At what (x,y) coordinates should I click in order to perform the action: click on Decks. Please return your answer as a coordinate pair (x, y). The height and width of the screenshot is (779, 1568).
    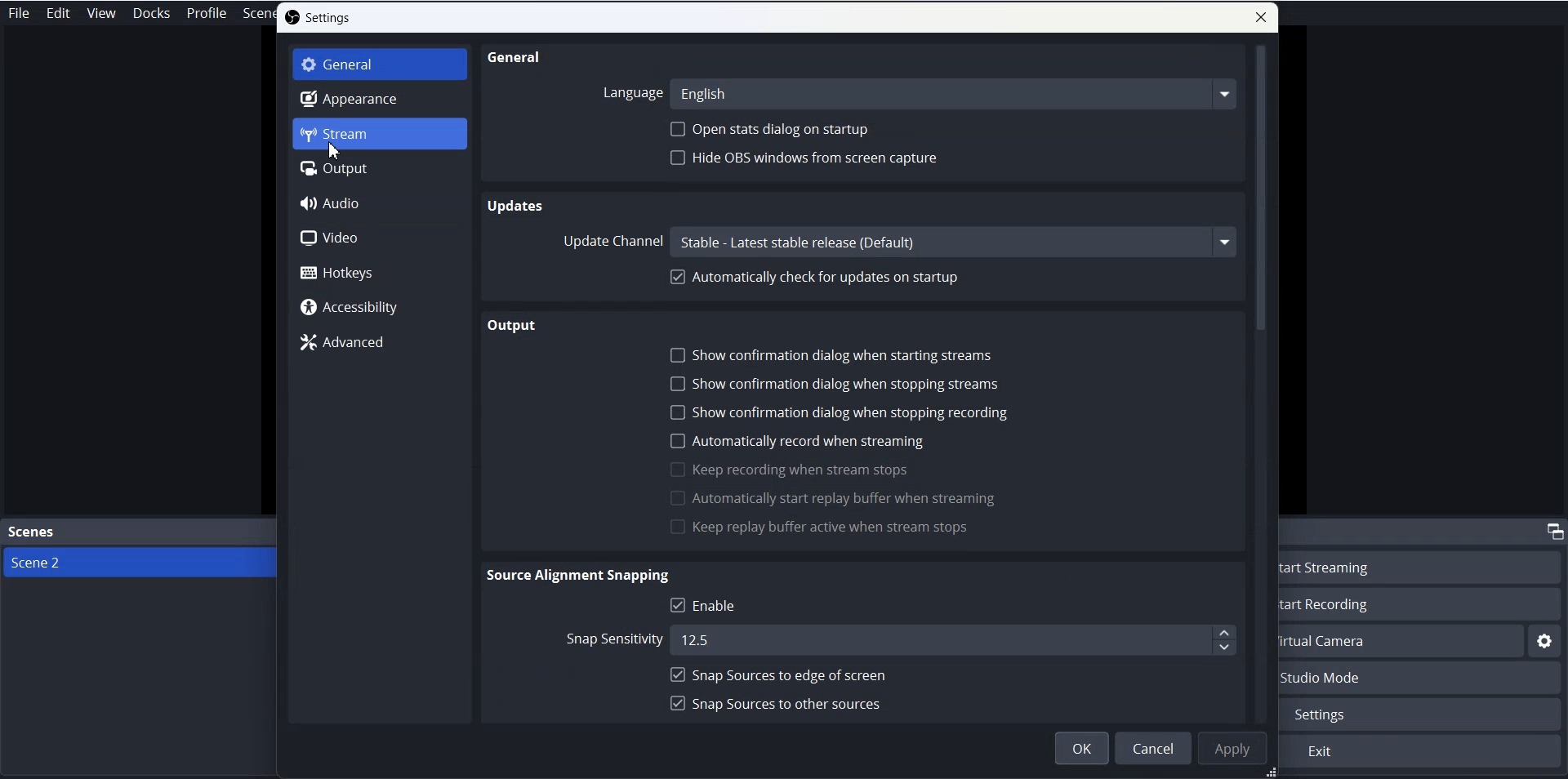
    Looking at the image, I should click on (152, 13).